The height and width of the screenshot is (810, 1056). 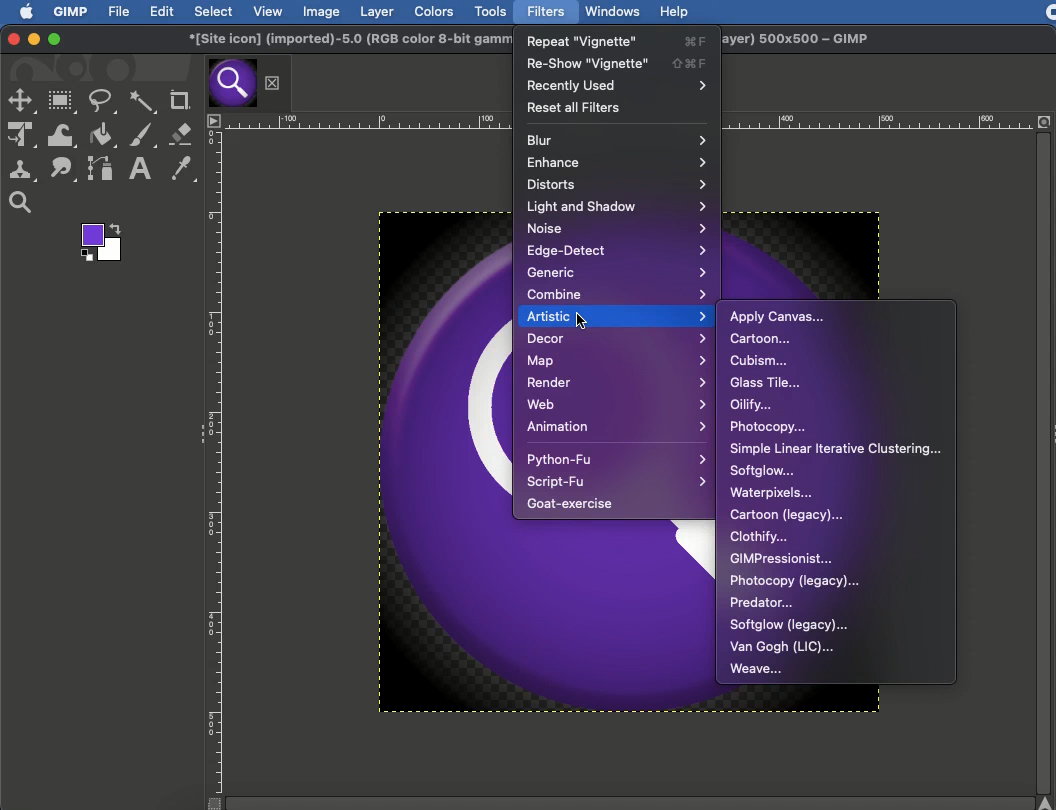 What do you see at coordinates (120, 12) in the screenshot?
I see `File` at bounding box center [120, 12].